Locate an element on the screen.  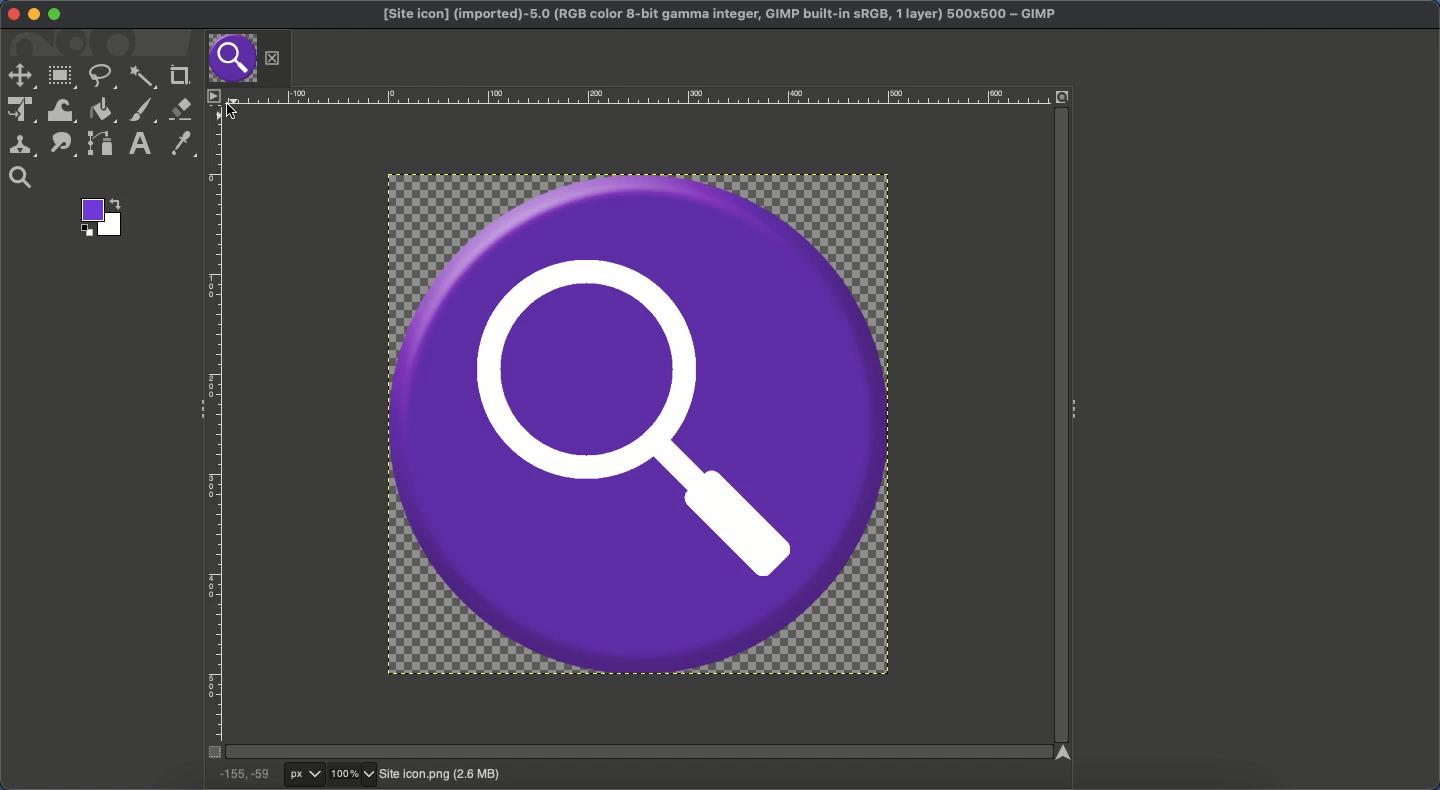
Menu is located at coordinates (212, 95).